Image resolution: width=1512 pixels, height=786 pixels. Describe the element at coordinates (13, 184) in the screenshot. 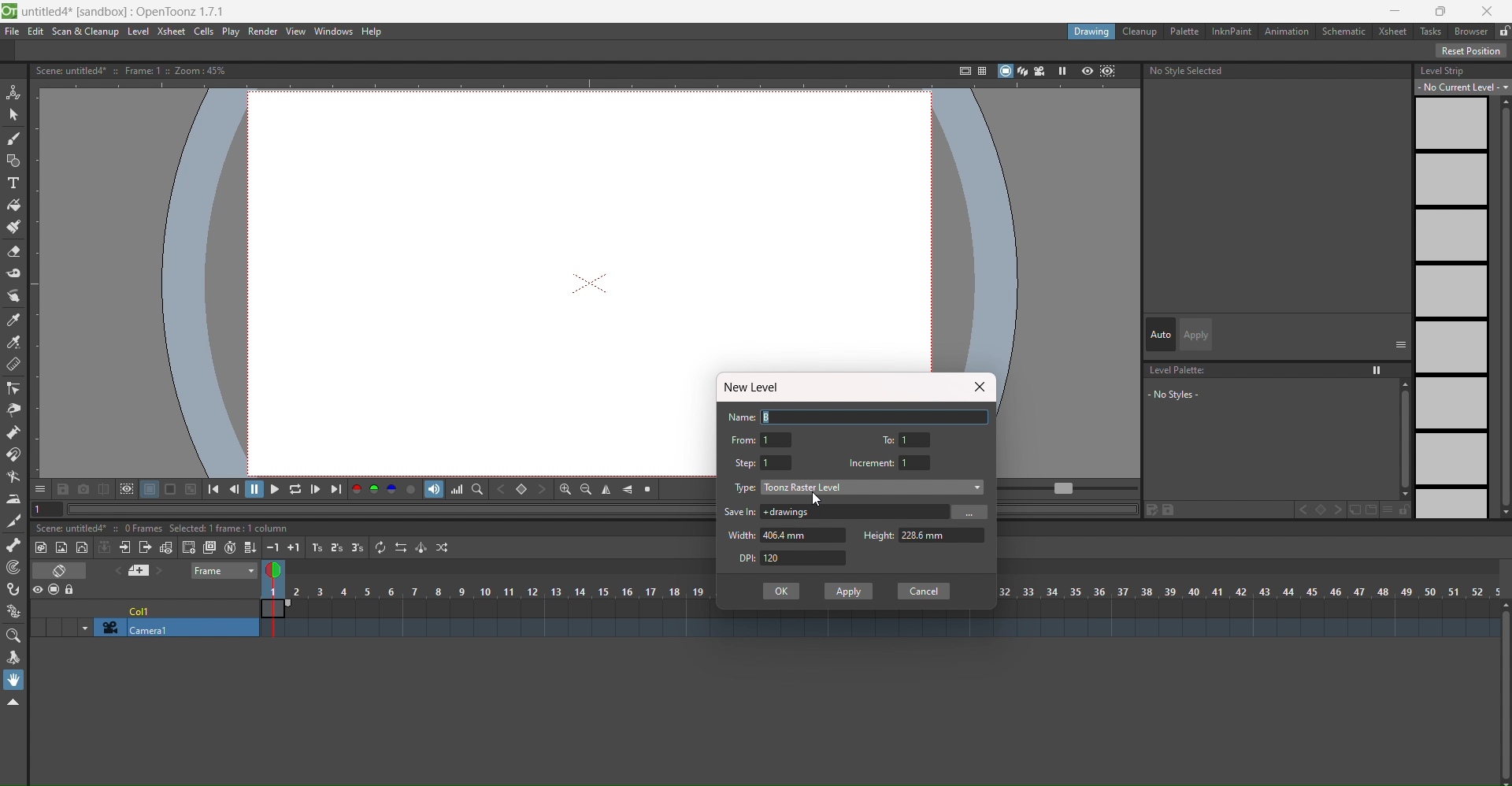

I see `type tool` at that location.